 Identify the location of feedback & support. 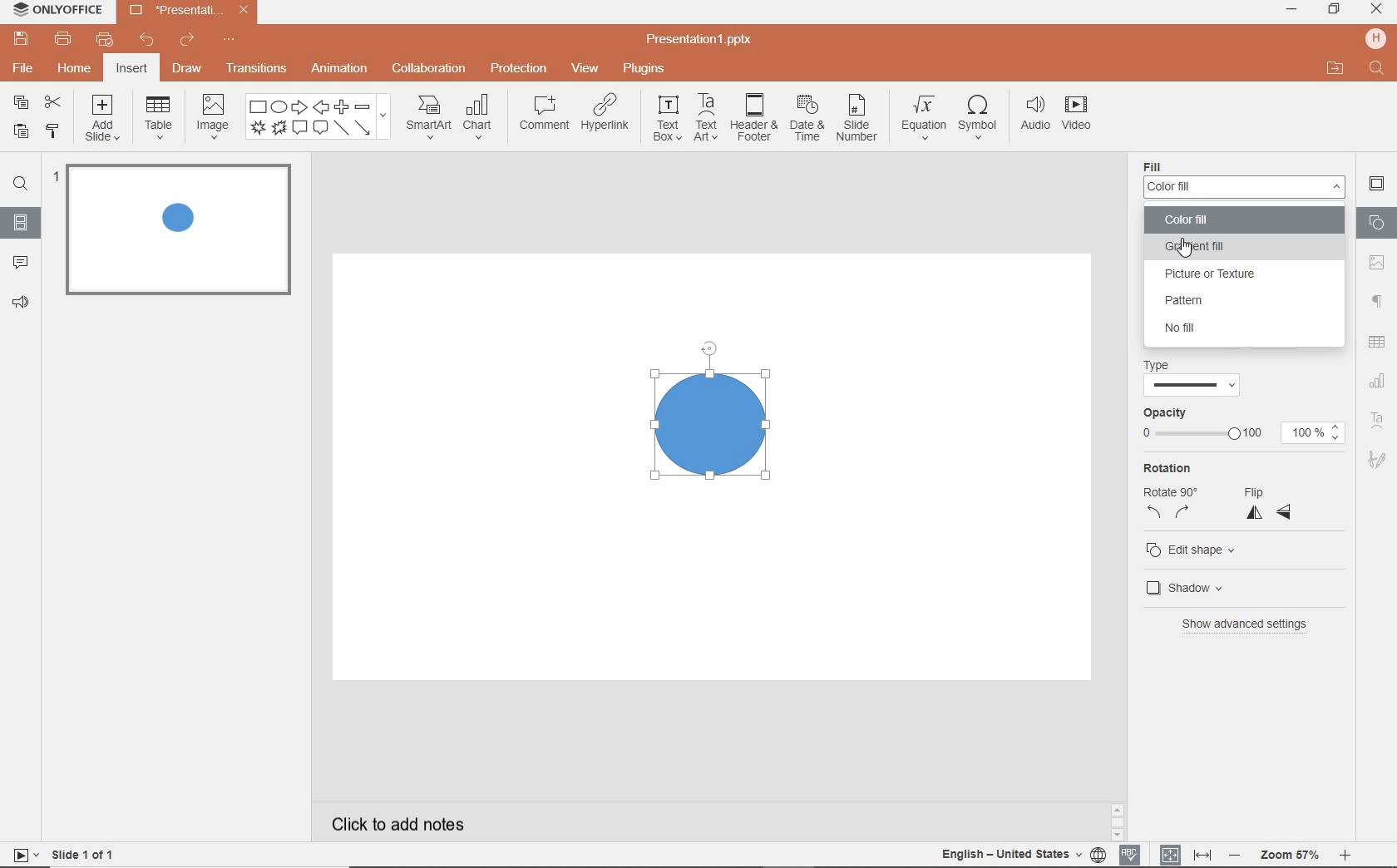
(19, 304).